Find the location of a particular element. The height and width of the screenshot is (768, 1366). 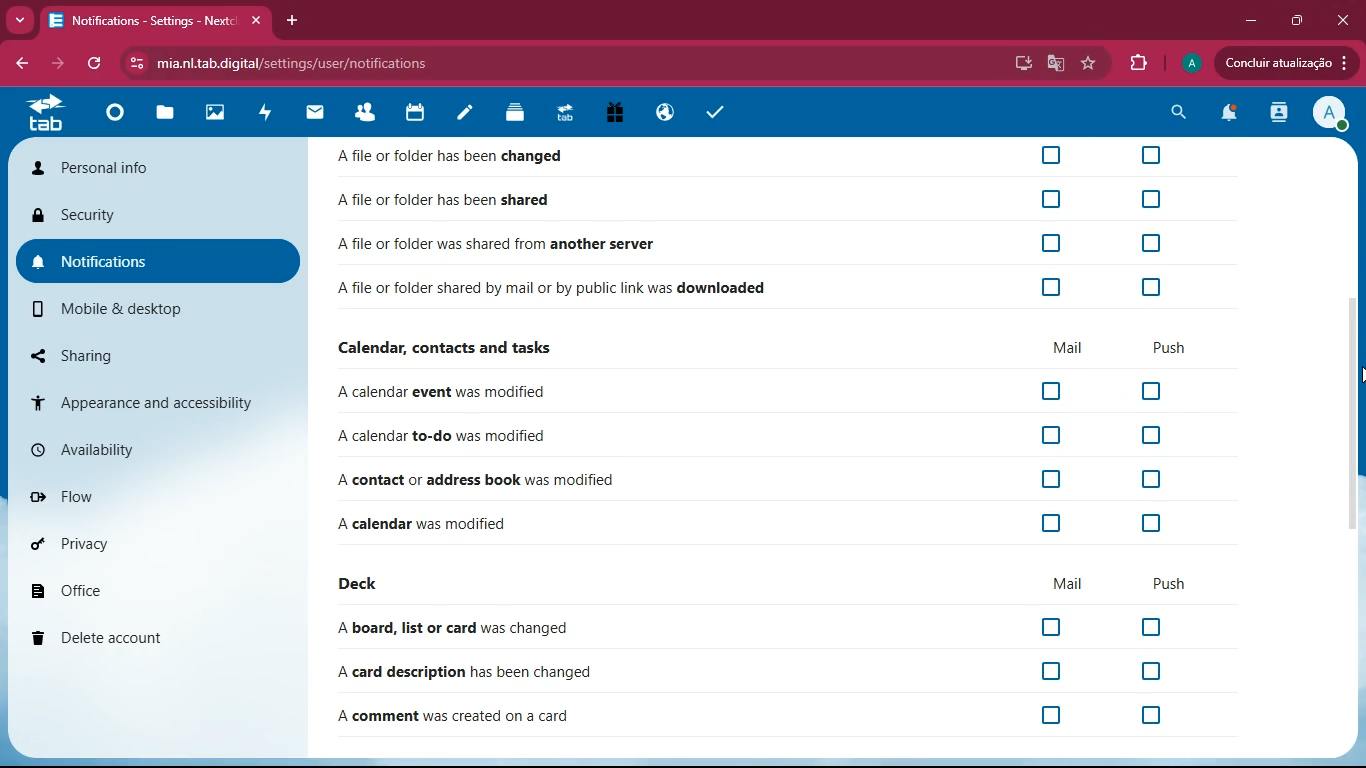

A comment was created on a card is located at coordinates (453, 718).